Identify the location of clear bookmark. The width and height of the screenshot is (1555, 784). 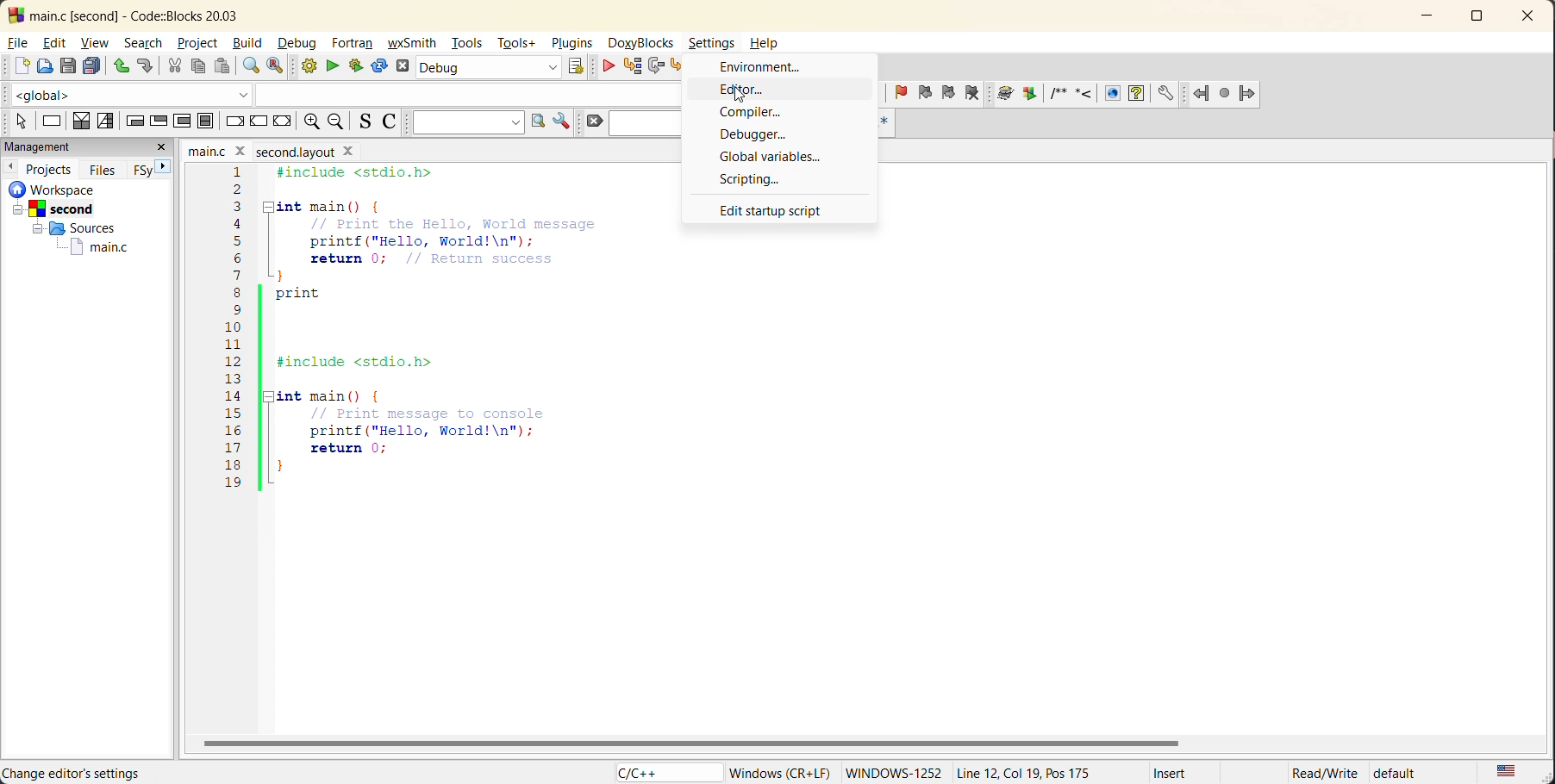
(974, 93).